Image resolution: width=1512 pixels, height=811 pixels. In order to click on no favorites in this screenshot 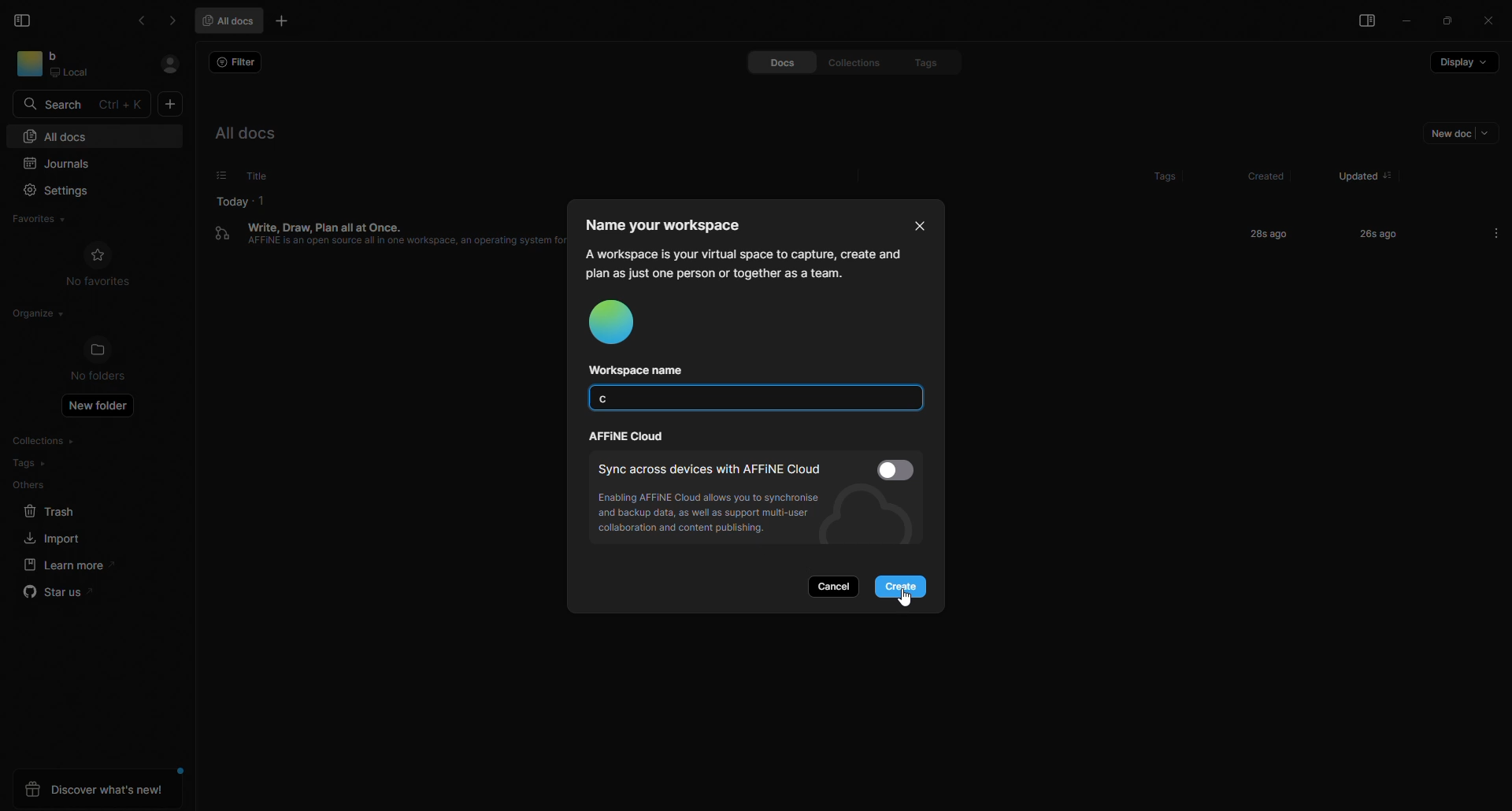, I will do `click(99, 265)`.